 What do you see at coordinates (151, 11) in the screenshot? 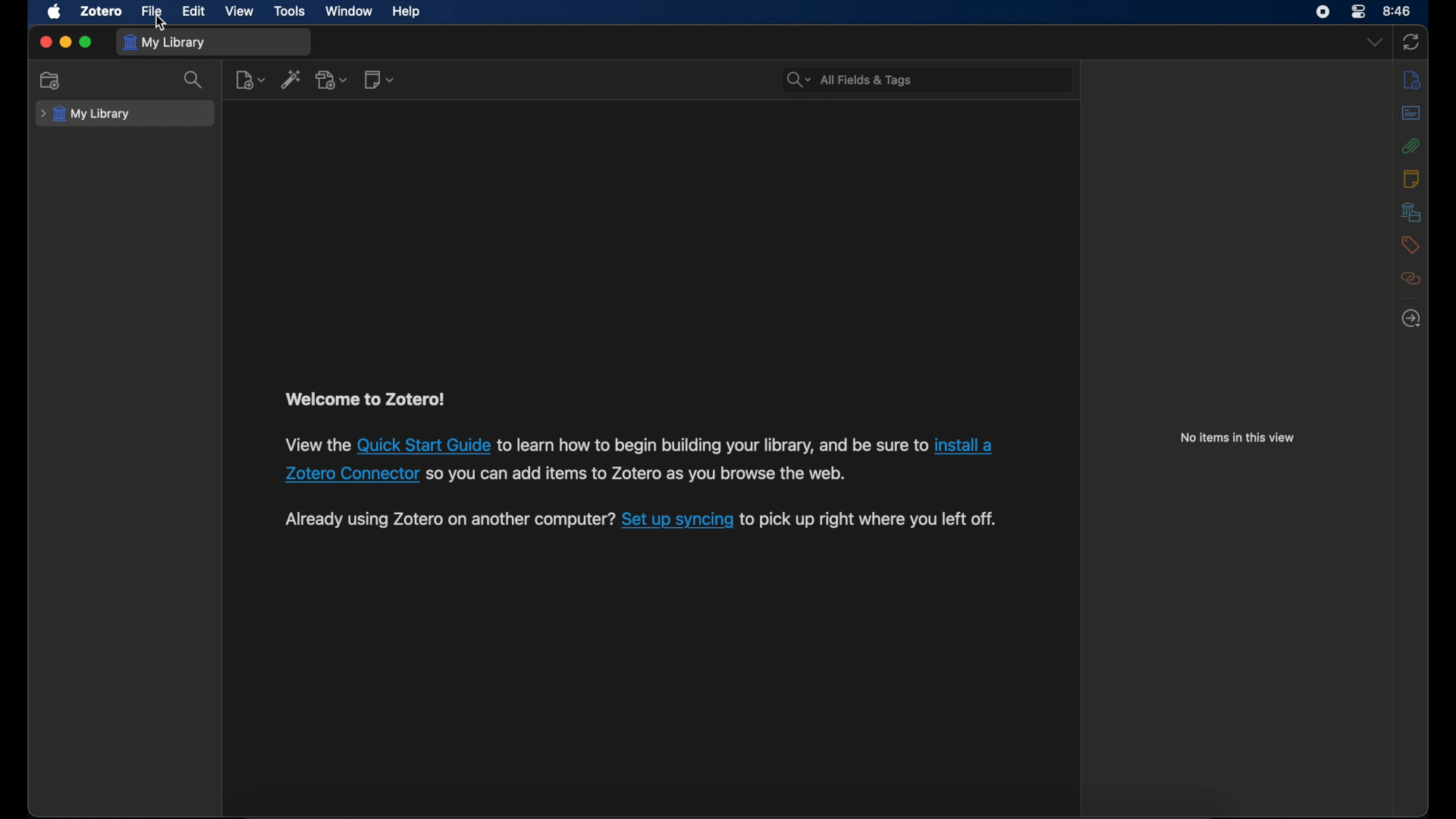
I see `file` at bounding box center [151, 11].